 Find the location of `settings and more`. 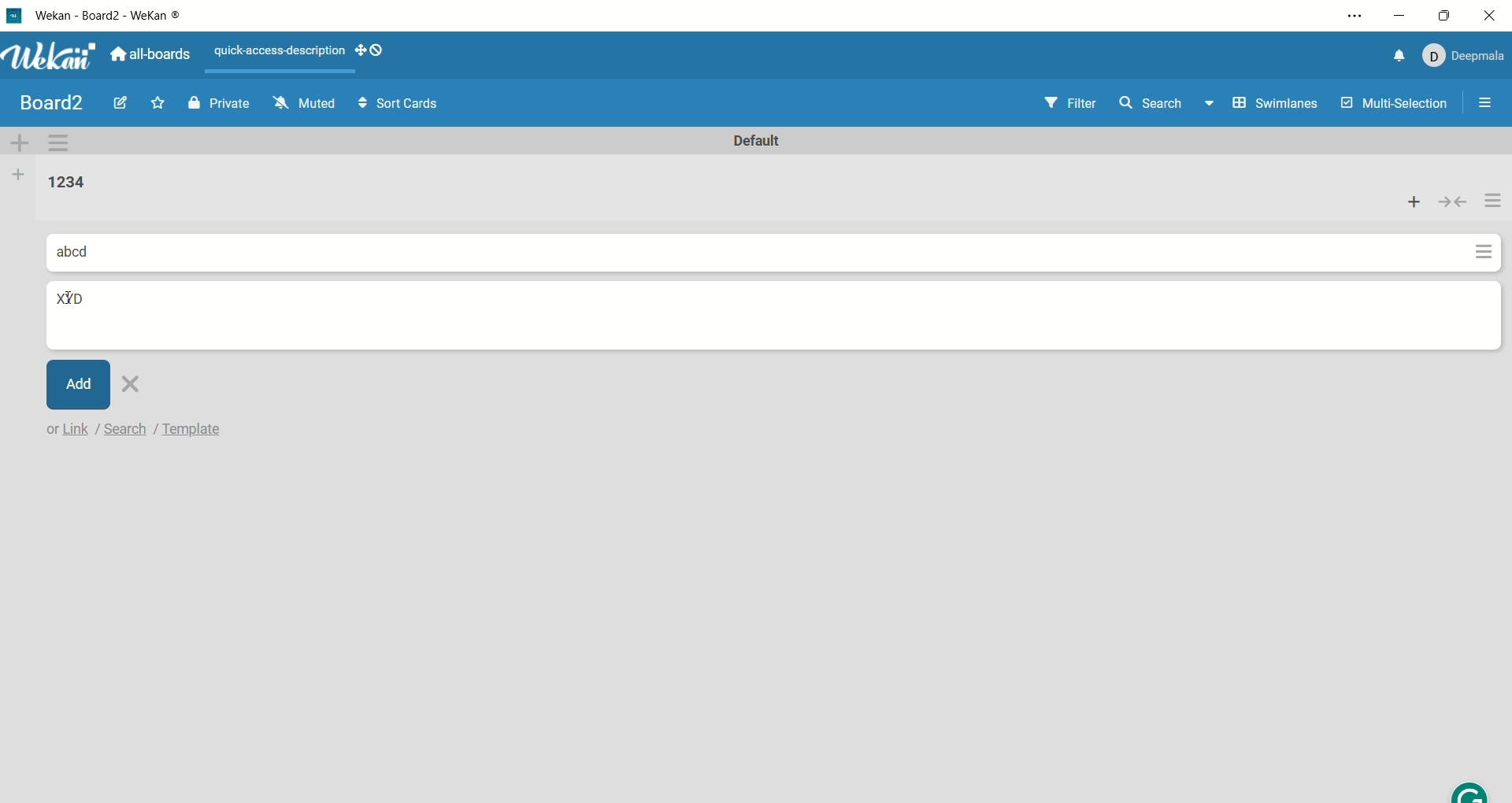

settings and more is located at coordinates (1353, 18).